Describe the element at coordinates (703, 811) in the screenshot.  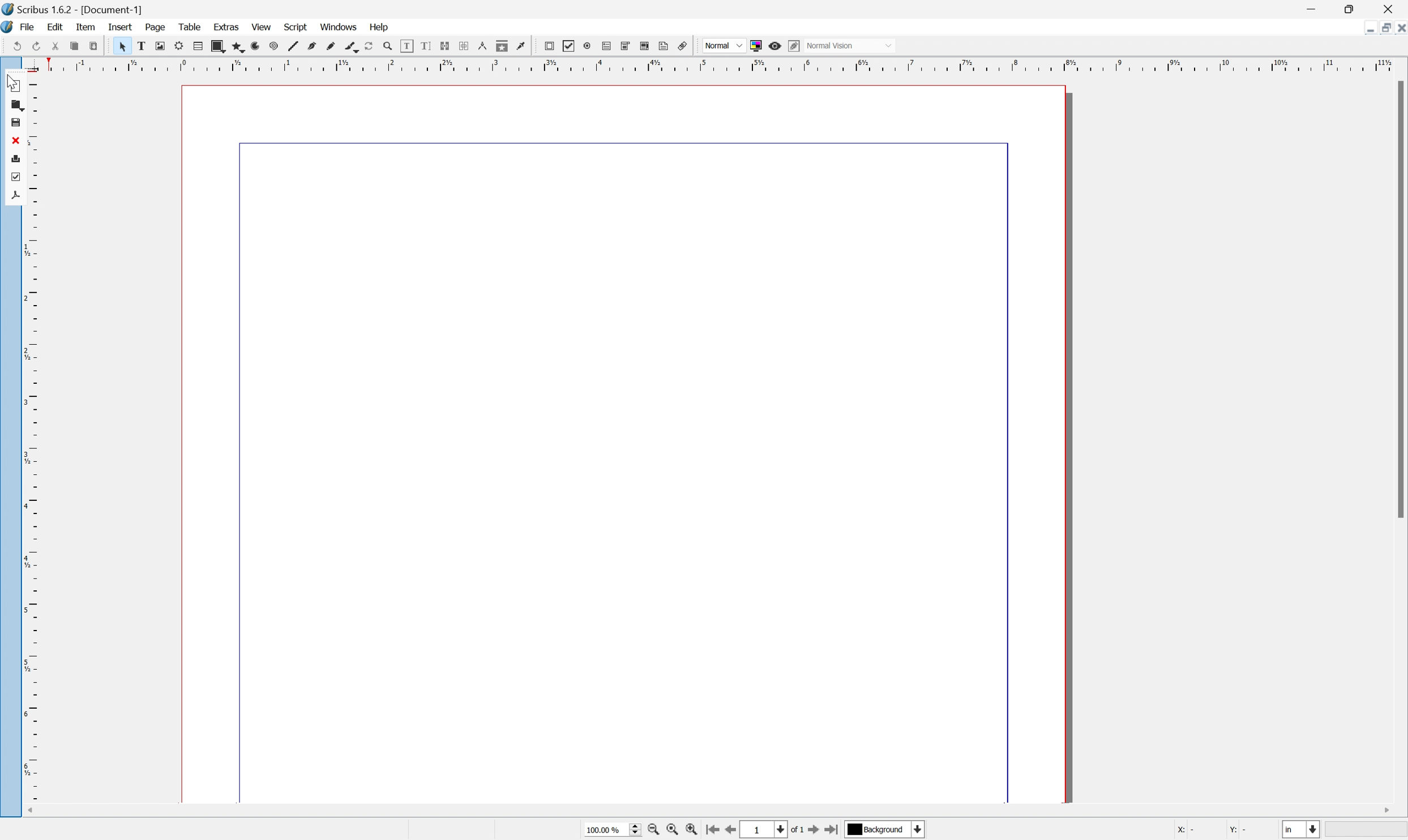
I see `scroll bar` at that location.